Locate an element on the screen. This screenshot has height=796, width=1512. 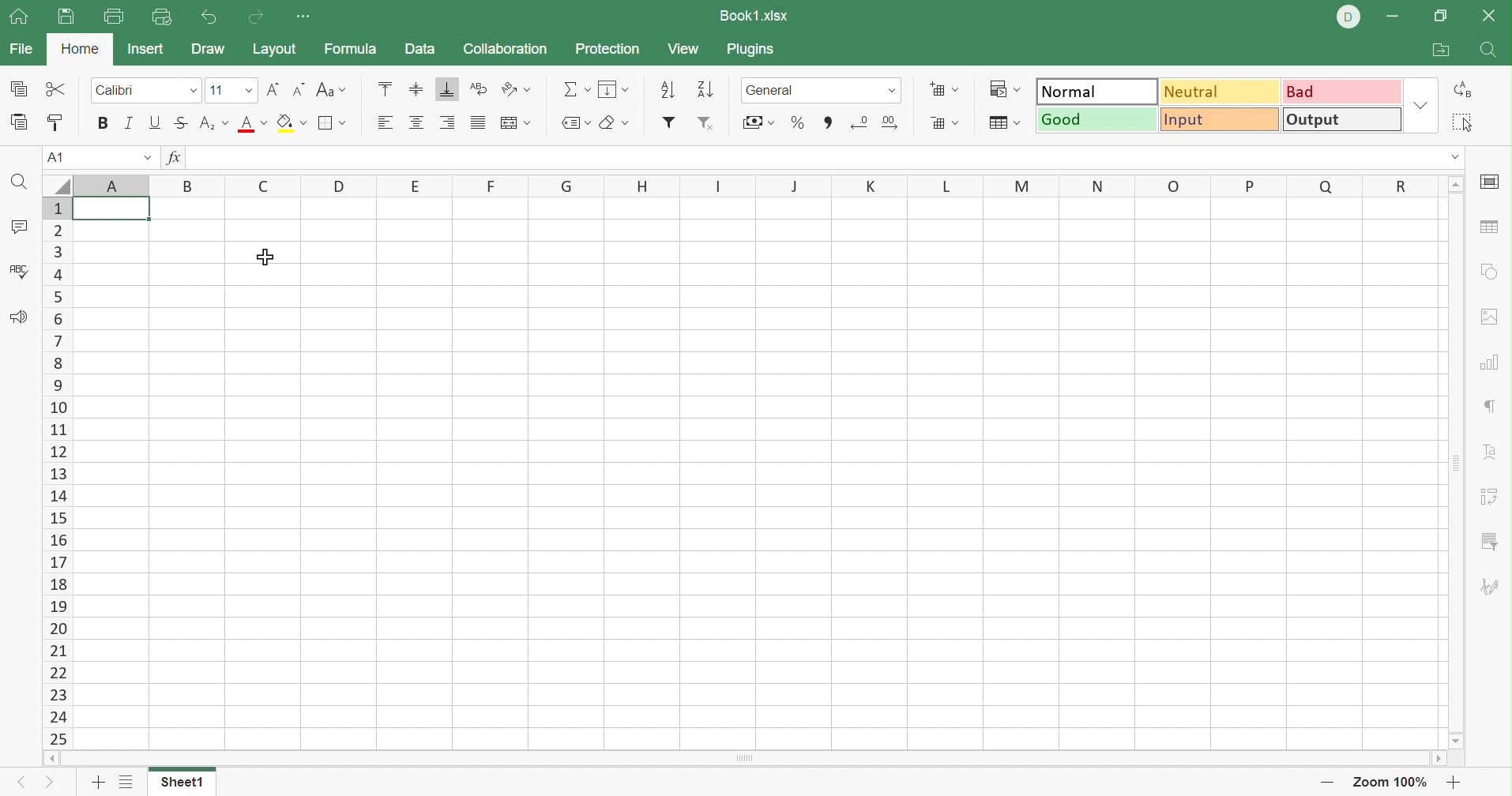
Normal is located at coordinates (1097, 93).